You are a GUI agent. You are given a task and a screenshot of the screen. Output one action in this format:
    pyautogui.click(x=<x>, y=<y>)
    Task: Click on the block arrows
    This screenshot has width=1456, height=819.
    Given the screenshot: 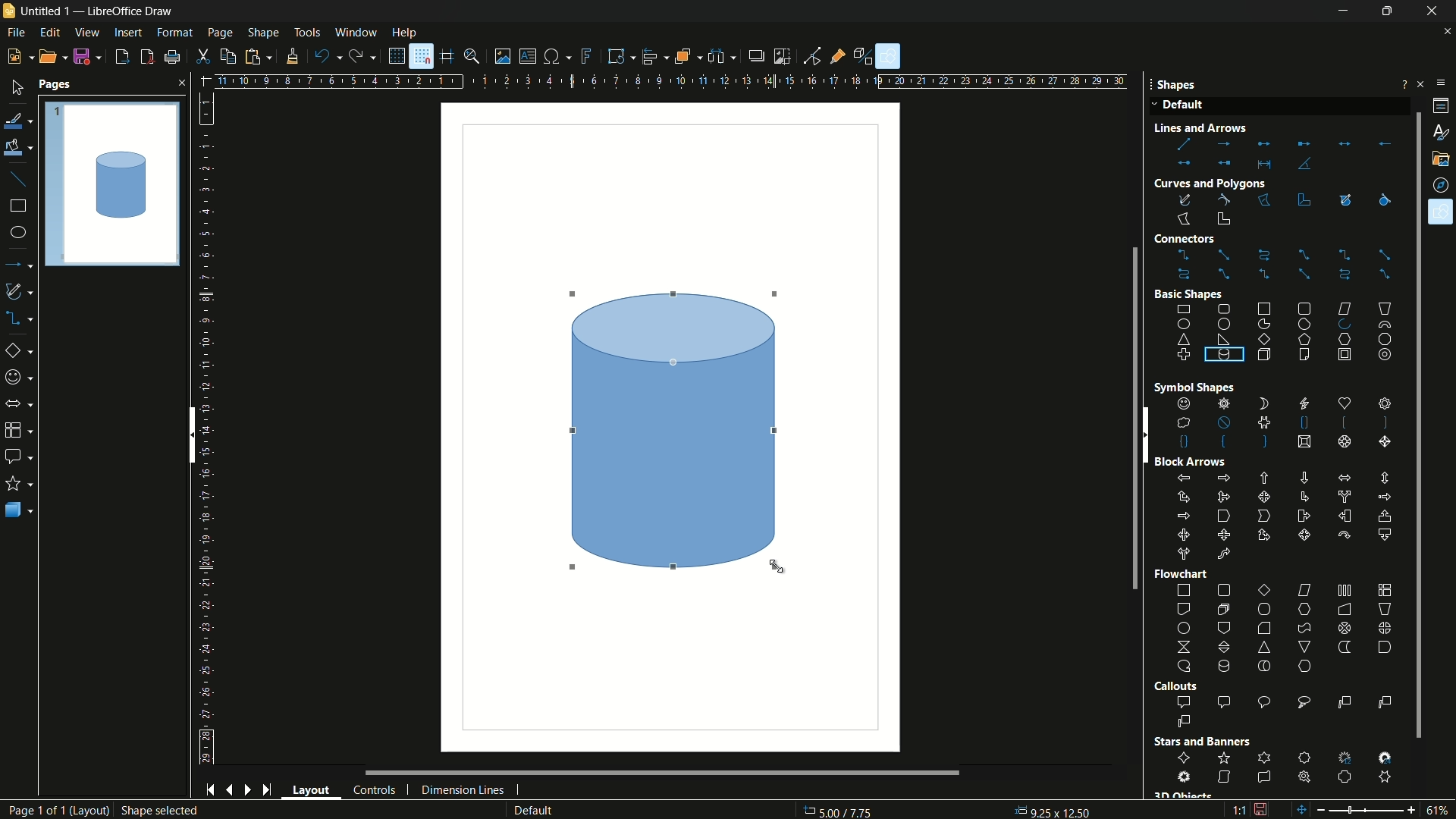 What is the action you would take?
    pyautogui.click(x=20, y=403)
    